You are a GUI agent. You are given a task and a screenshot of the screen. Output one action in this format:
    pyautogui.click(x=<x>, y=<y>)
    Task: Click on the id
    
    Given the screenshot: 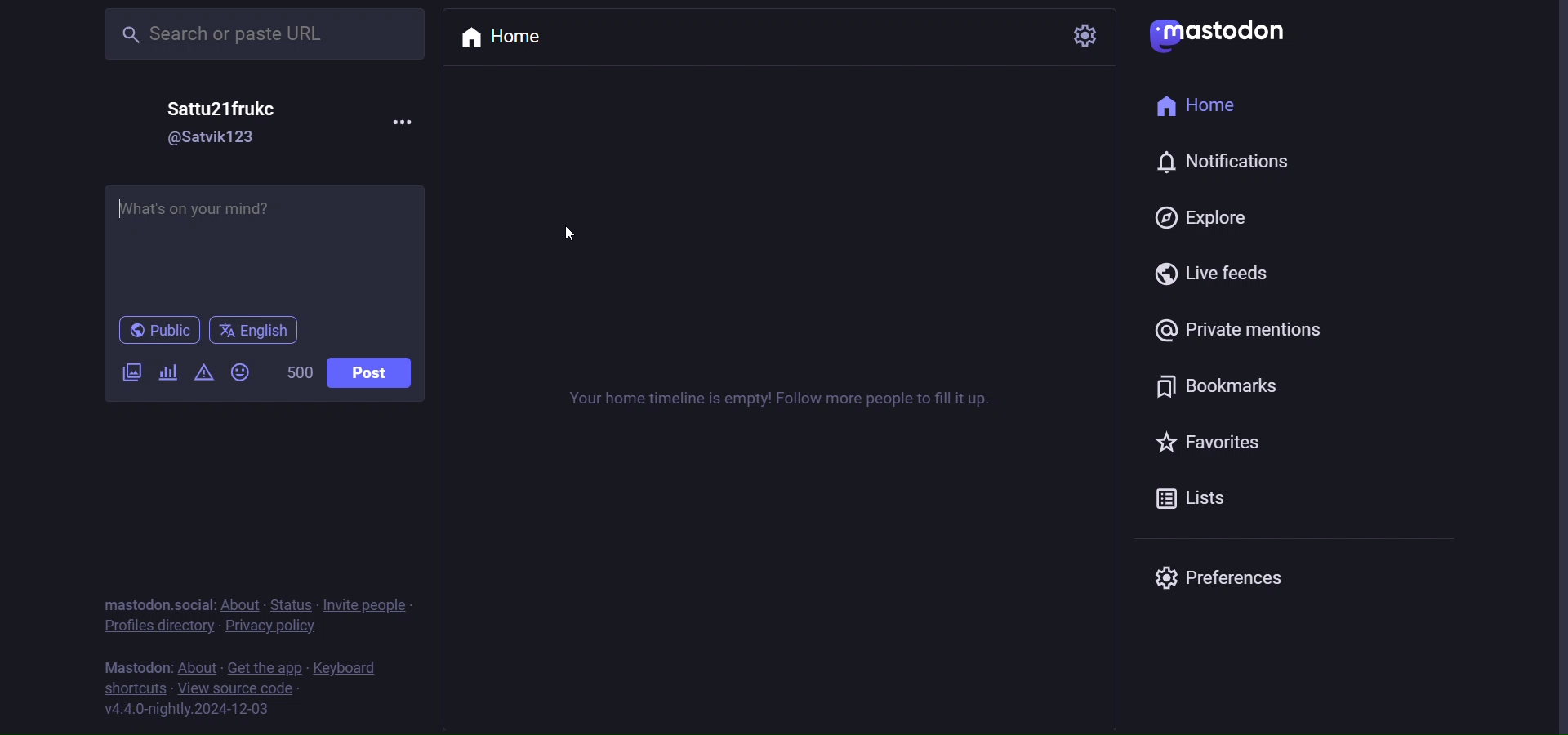 What is the action you would take?
    pyautogui.click(x=219, y=138)
    